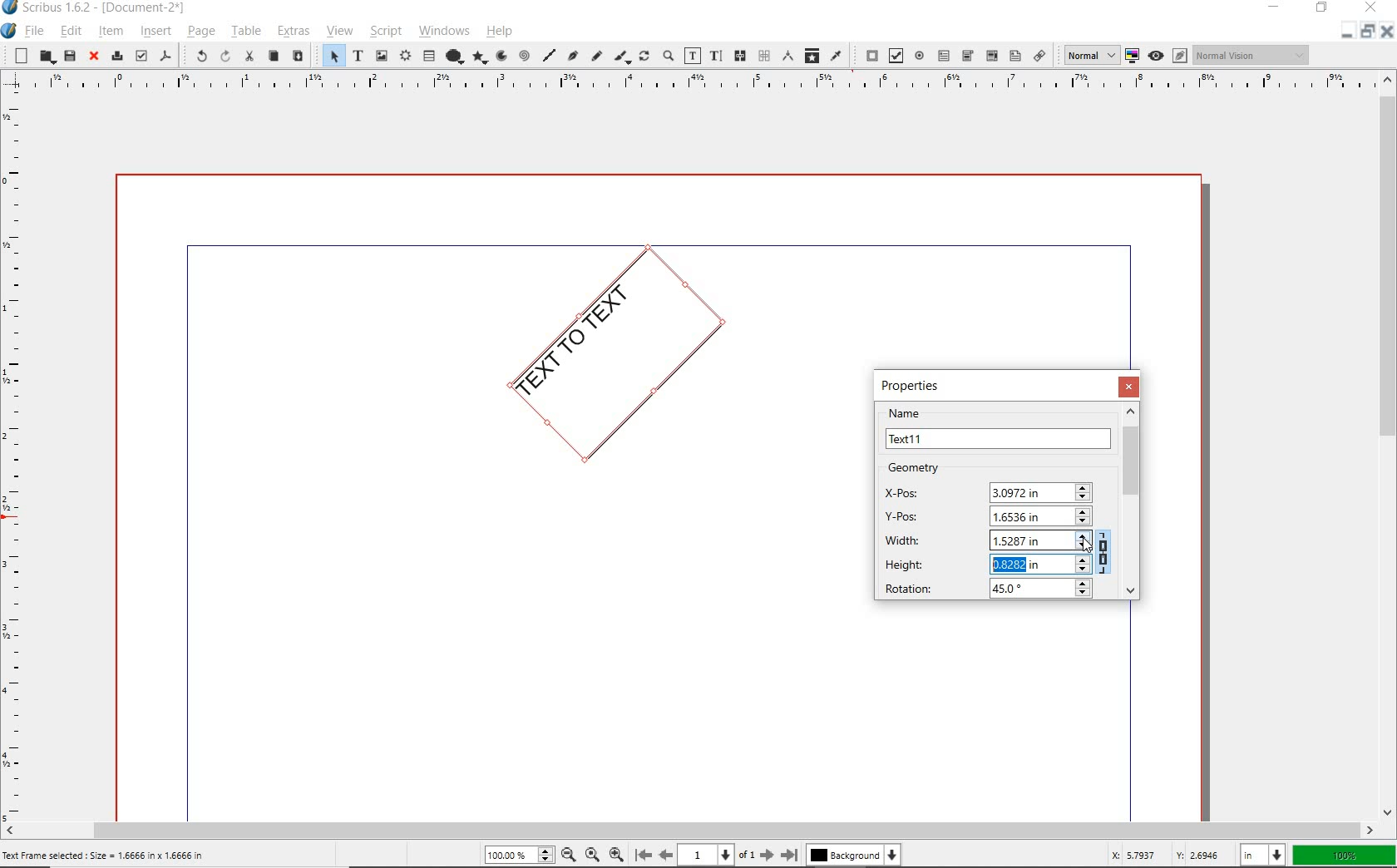  I want to click on minimize, so click(1345, 34).